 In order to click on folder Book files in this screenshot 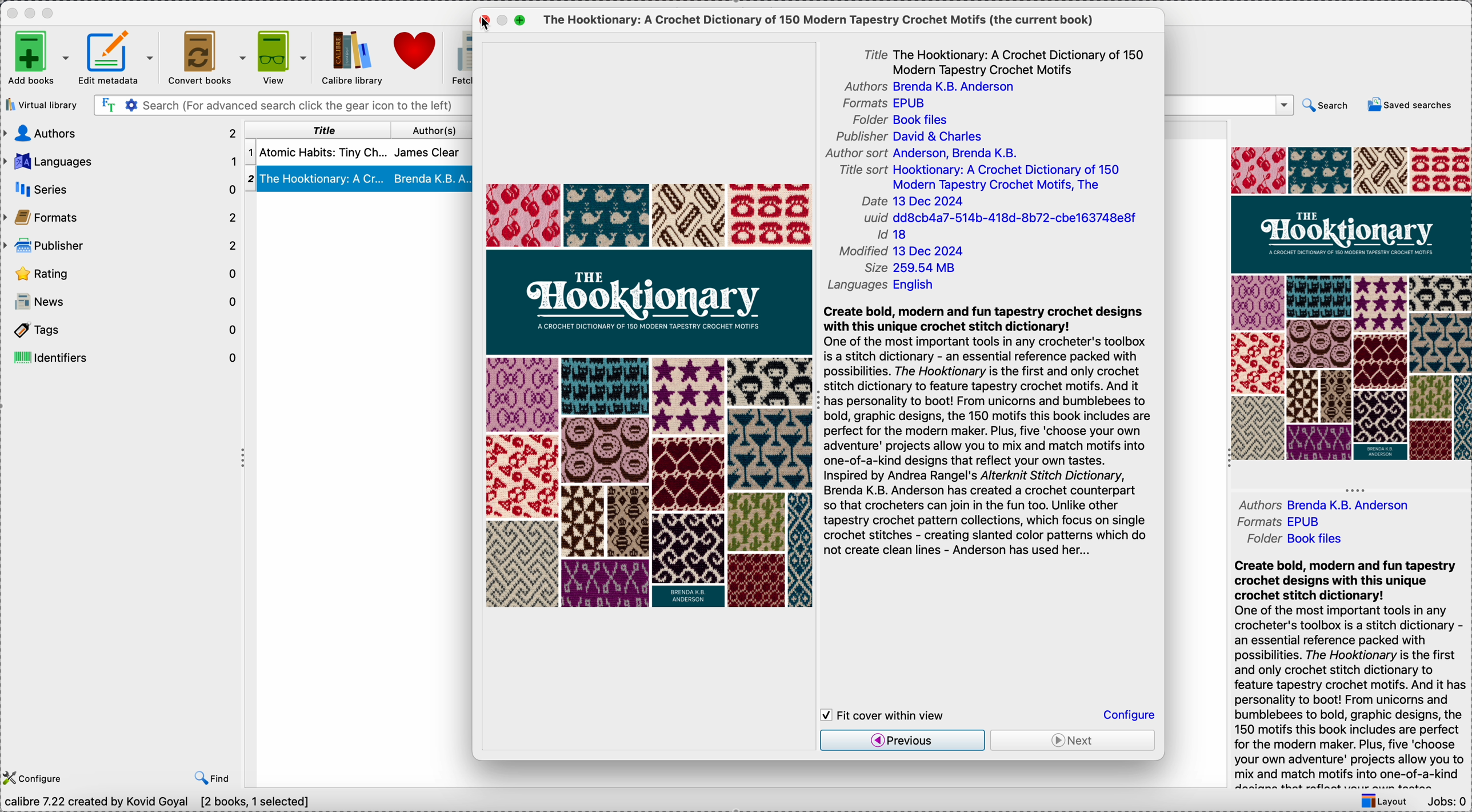, I will do `click(899, 119)`.